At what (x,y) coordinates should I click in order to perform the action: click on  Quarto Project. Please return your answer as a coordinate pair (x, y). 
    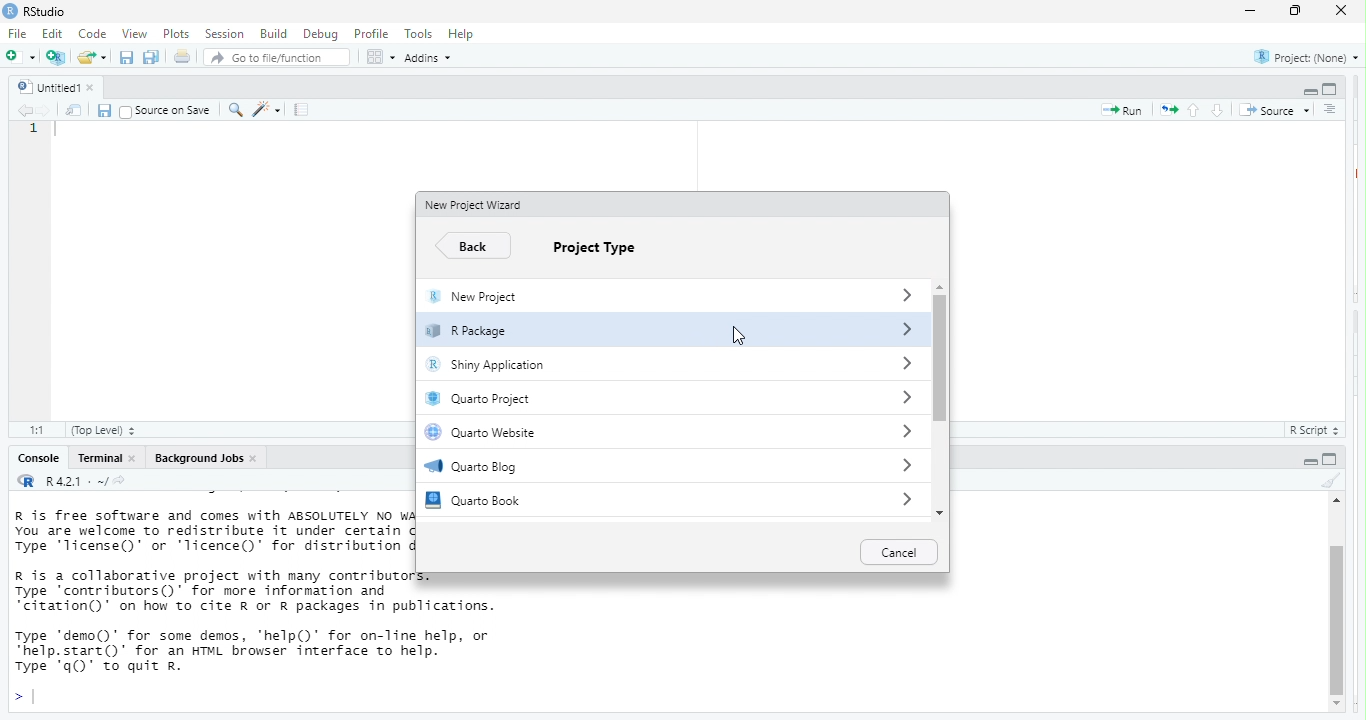
    Looking at the image, I should click on (635, 401).